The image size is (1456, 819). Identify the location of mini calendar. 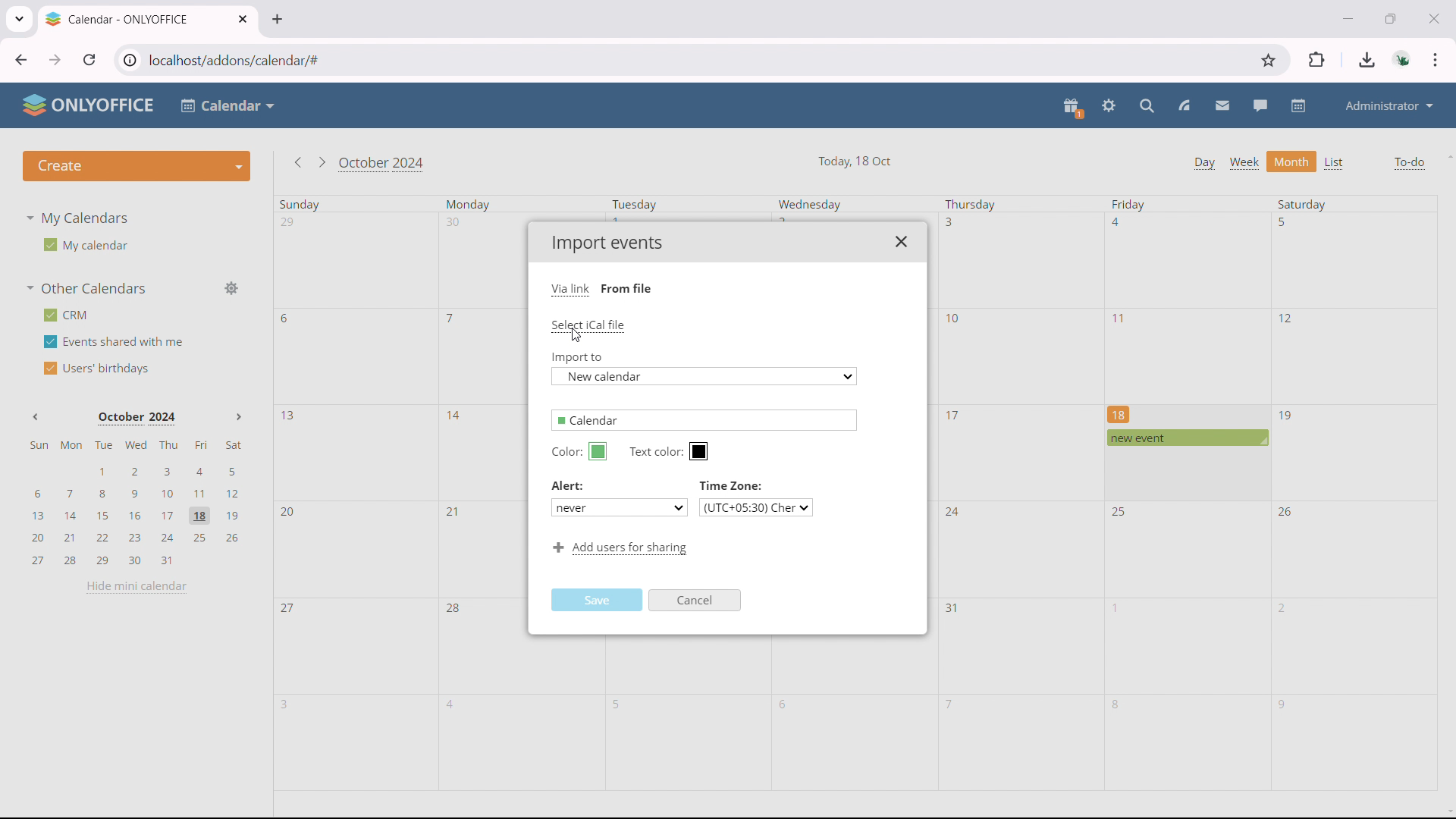
(136, 503).